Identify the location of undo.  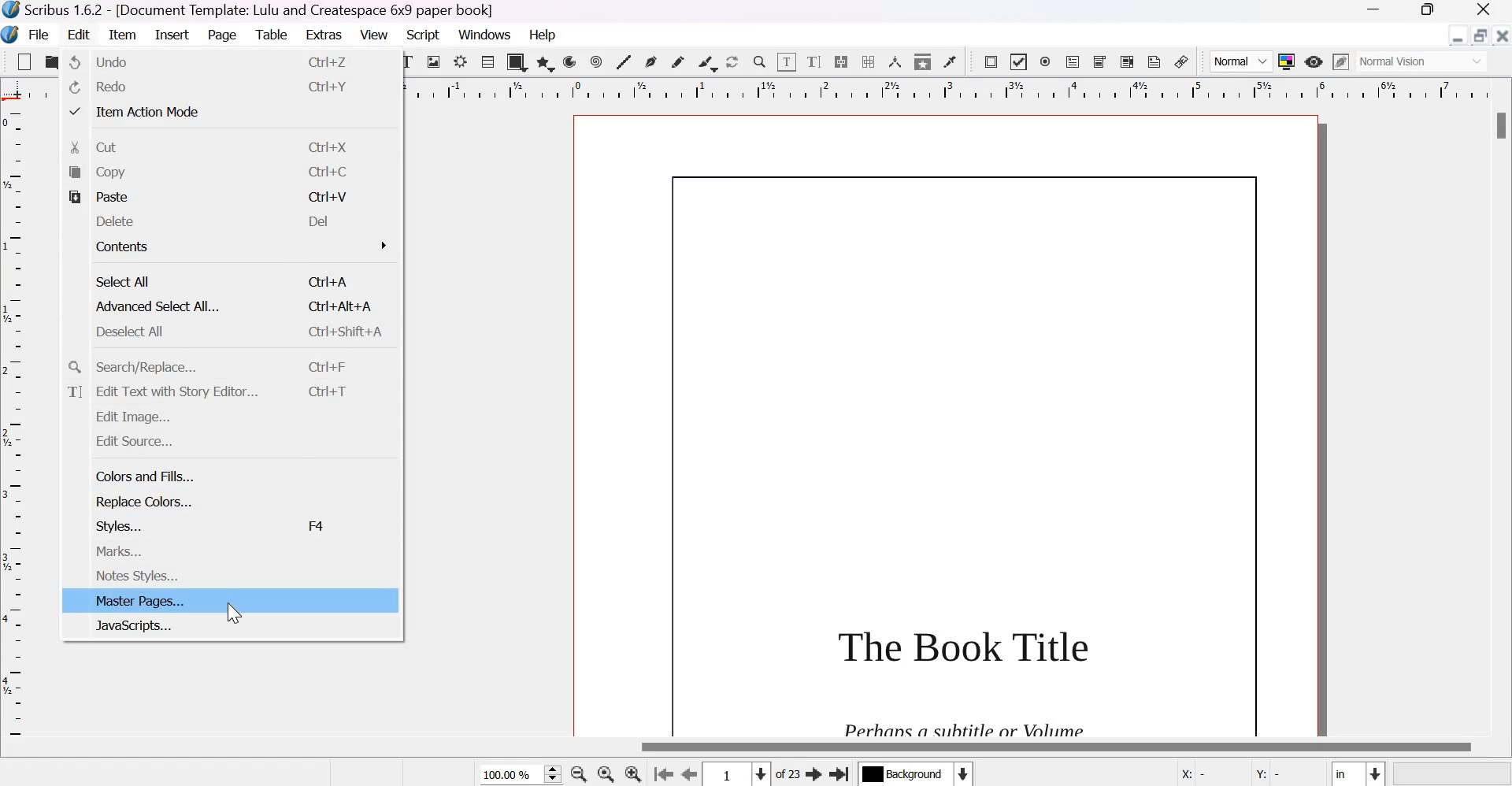
(229, 61).